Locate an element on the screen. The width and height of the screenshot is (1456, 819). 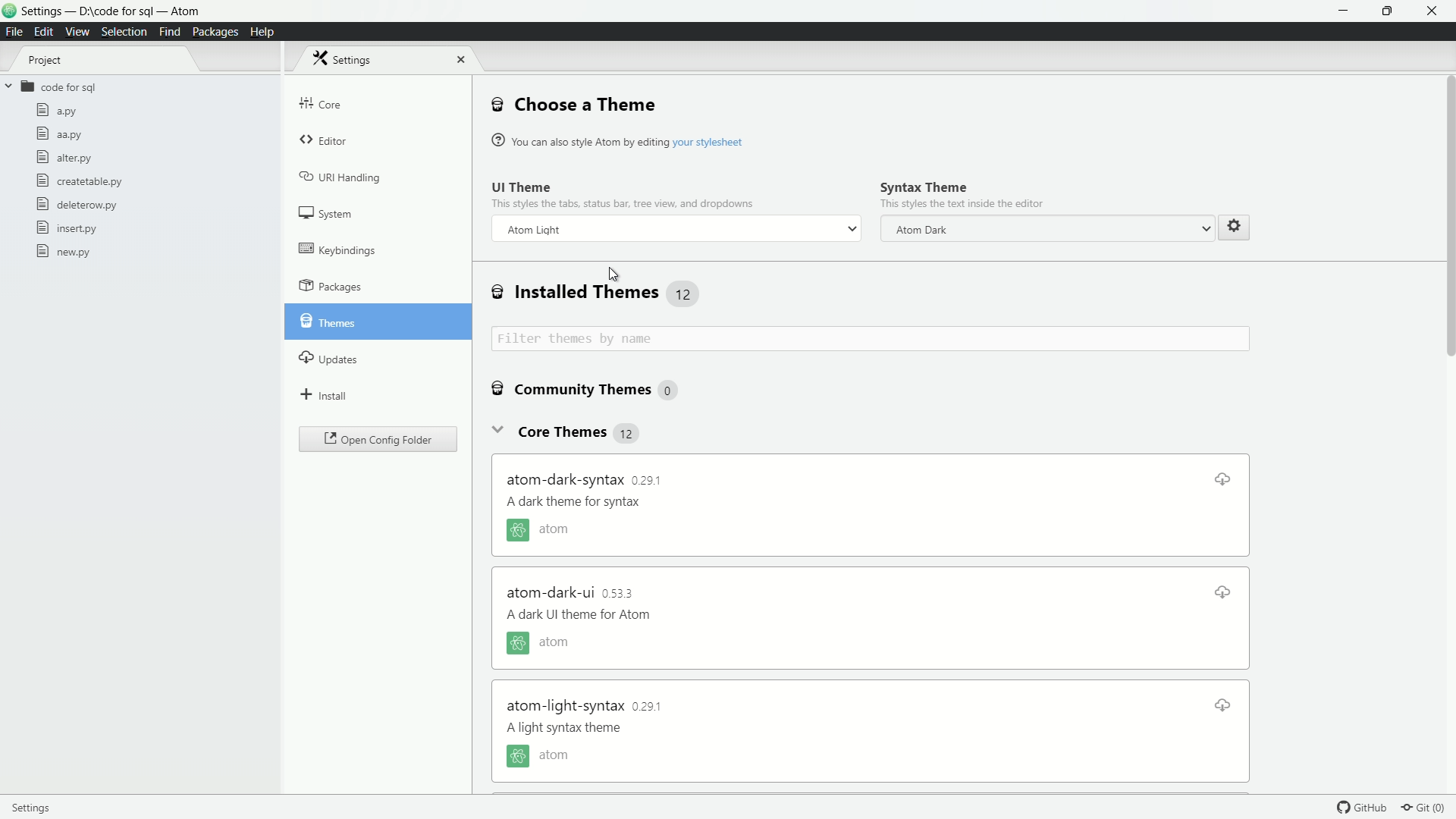
github is located at coordinates (1363, 808).